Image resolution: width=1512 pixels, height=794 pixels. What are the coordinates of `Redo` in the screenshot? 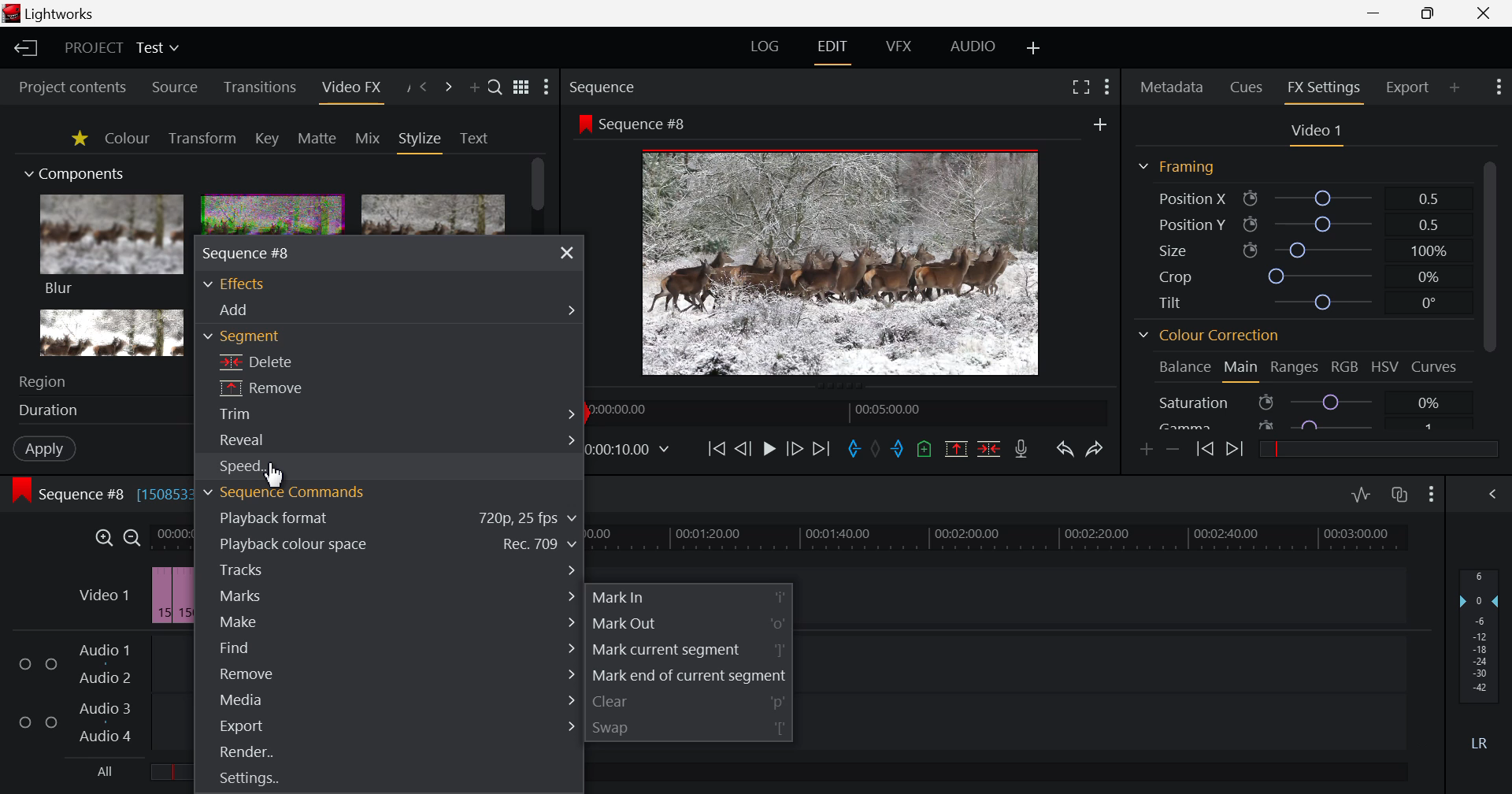 It's located at (1093, 451).